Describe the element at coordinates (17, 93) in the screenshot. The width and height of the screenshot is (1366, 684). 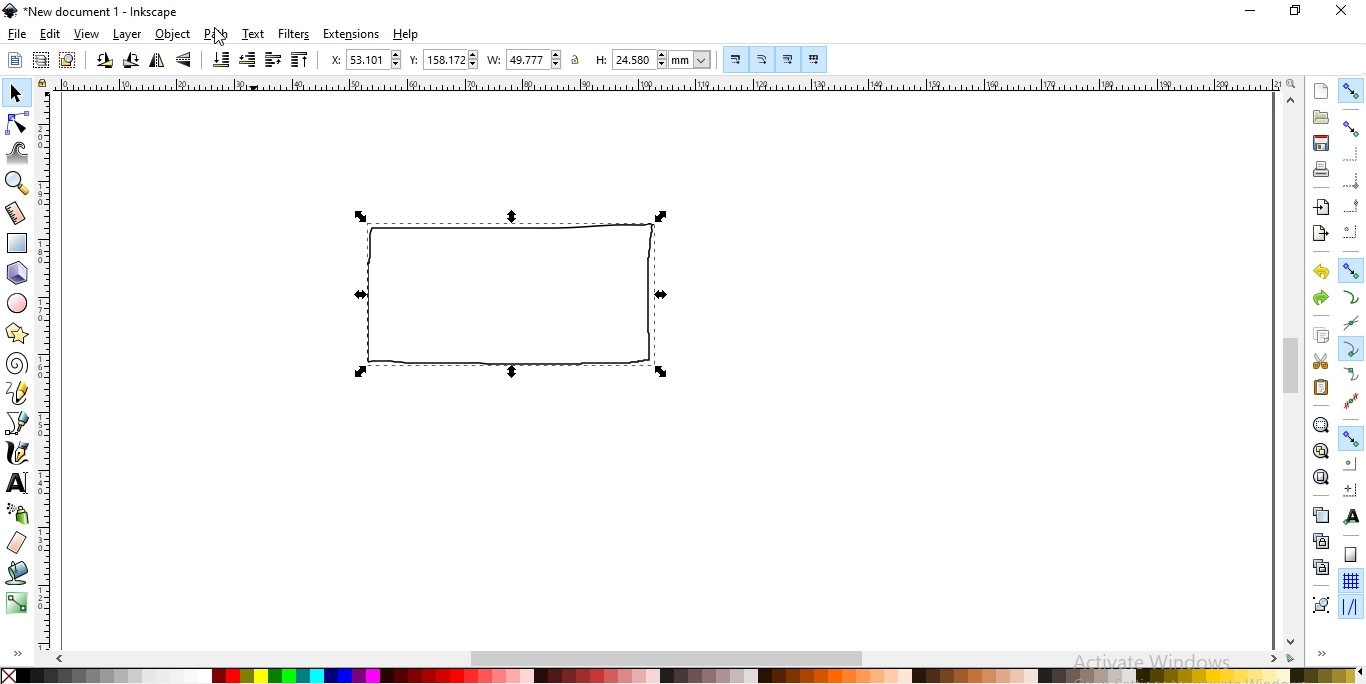
I see `select and transform objects` at that location.